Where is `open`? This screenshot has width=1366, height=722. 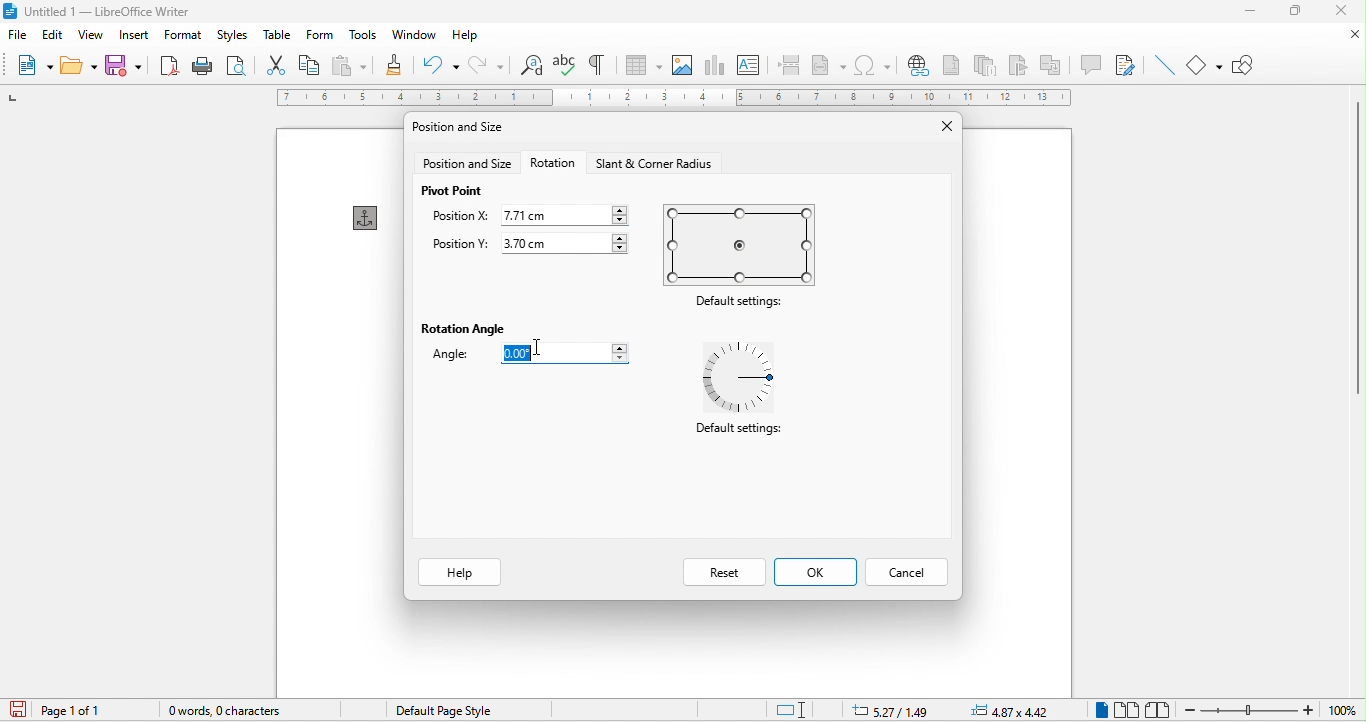
open is located at coordinates (79, 64).